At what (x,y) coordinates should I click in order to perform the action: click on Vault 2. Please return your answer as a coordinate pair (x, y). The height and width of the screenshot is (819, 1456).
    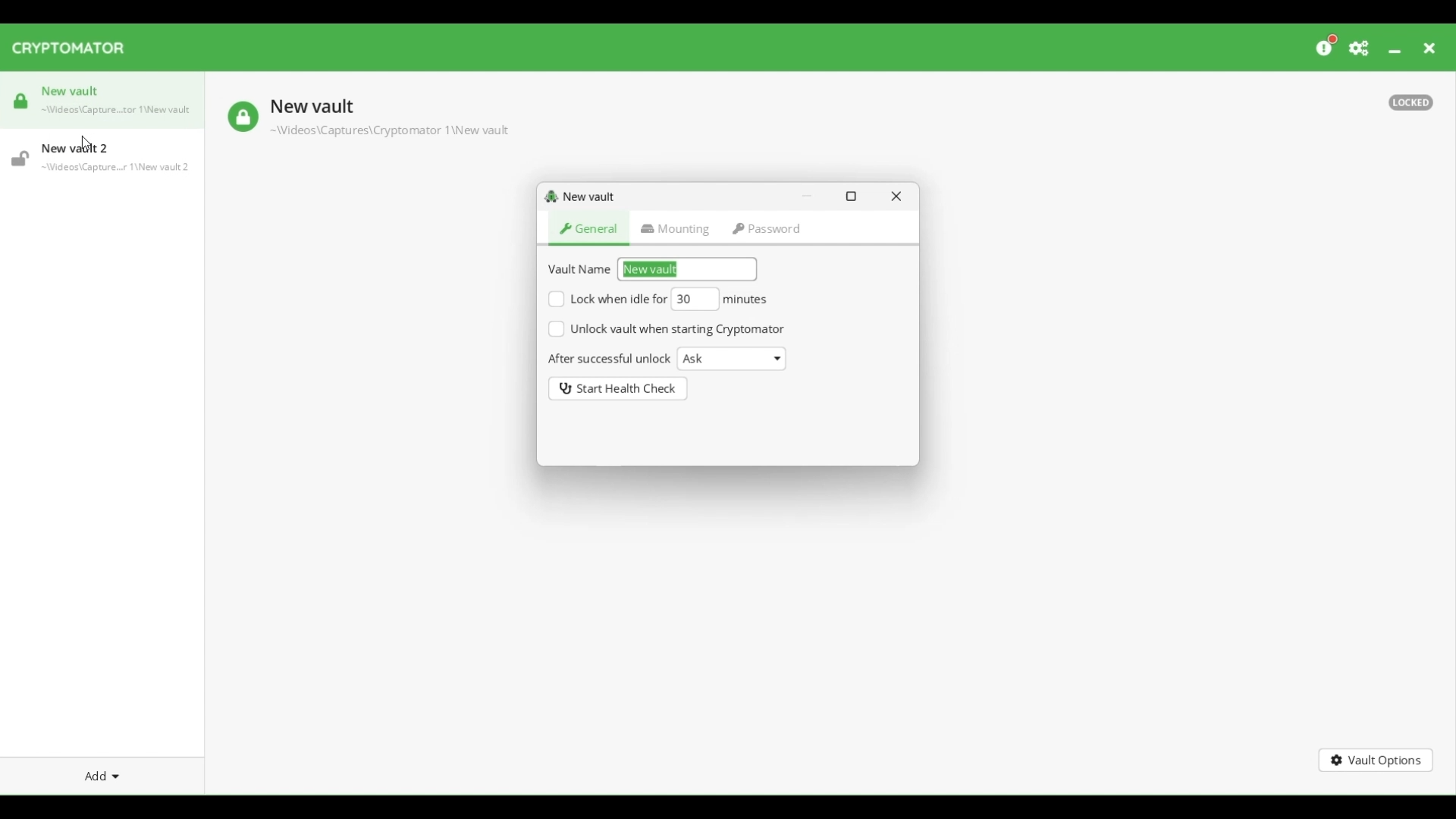
    Looking at the image, I should click on (102, 157).